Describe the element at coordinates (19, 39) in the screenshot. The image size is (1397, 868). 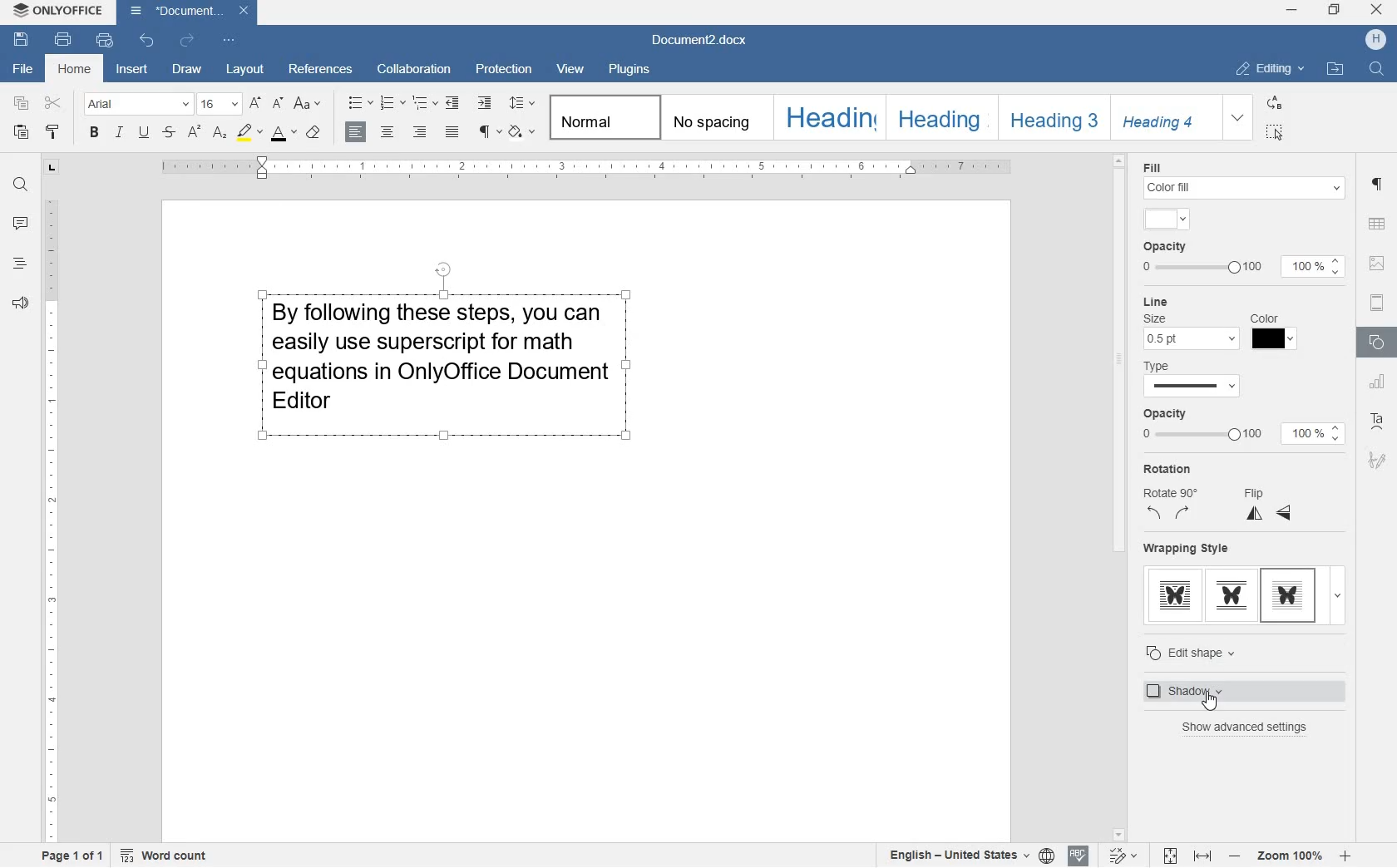
I see `save` at that location.